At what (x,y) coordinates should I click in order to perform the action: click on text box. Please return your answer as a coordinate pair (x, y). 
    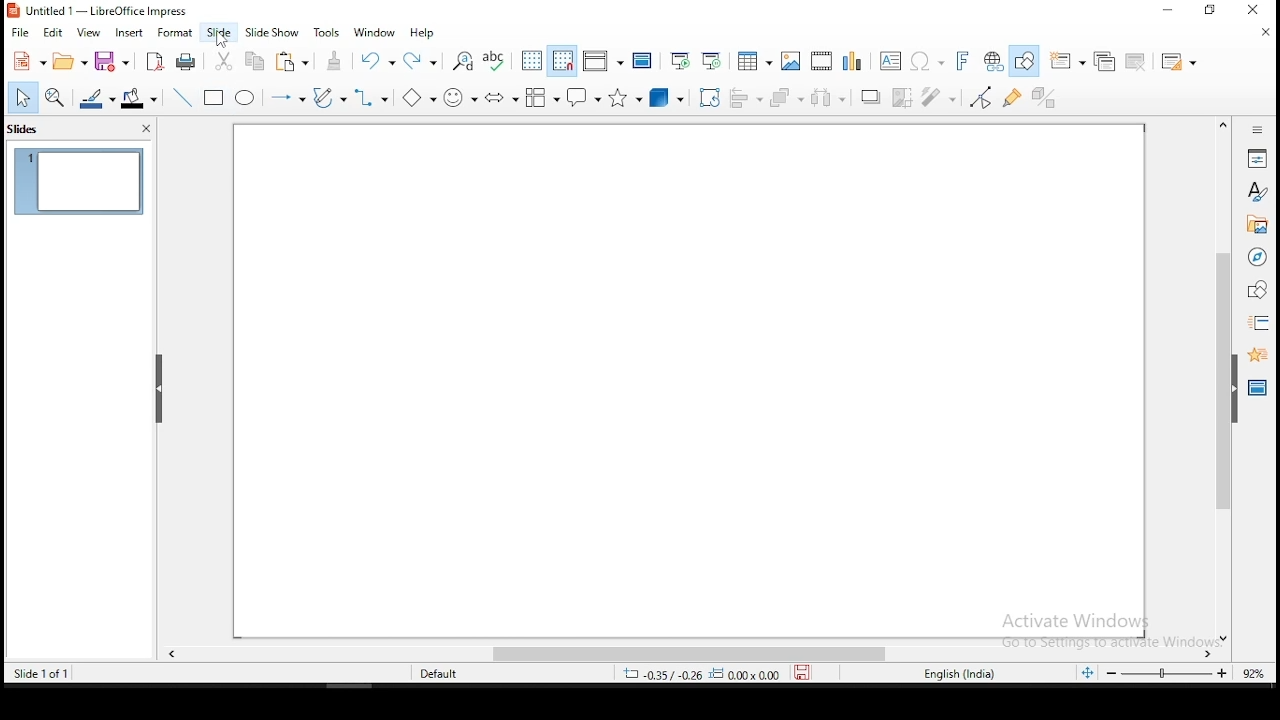
    Looking at the image, I should click on (891, 62).